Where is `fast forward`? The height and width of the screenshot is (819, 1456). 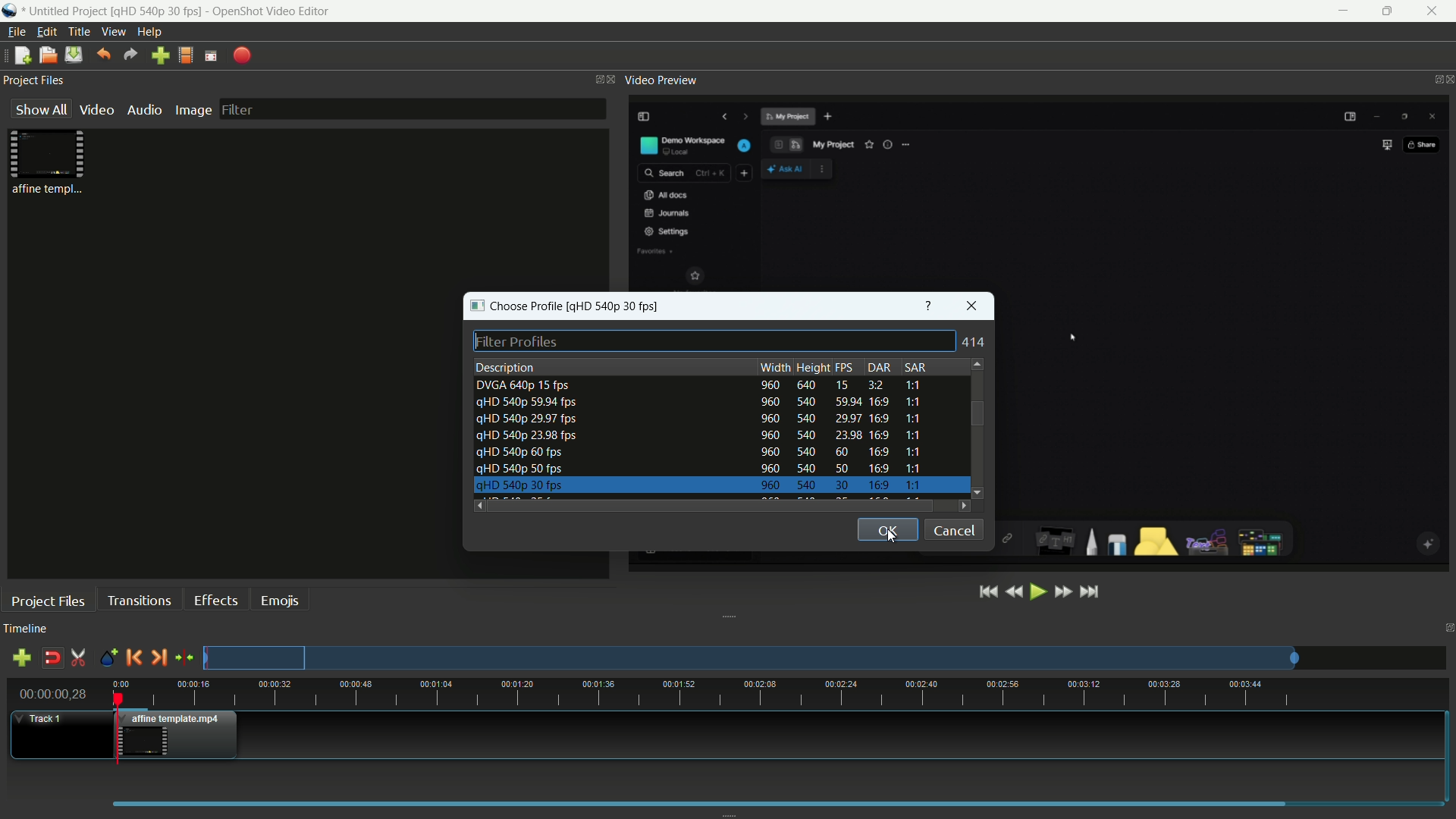 fast forward is located at coordinates (1062, 593).